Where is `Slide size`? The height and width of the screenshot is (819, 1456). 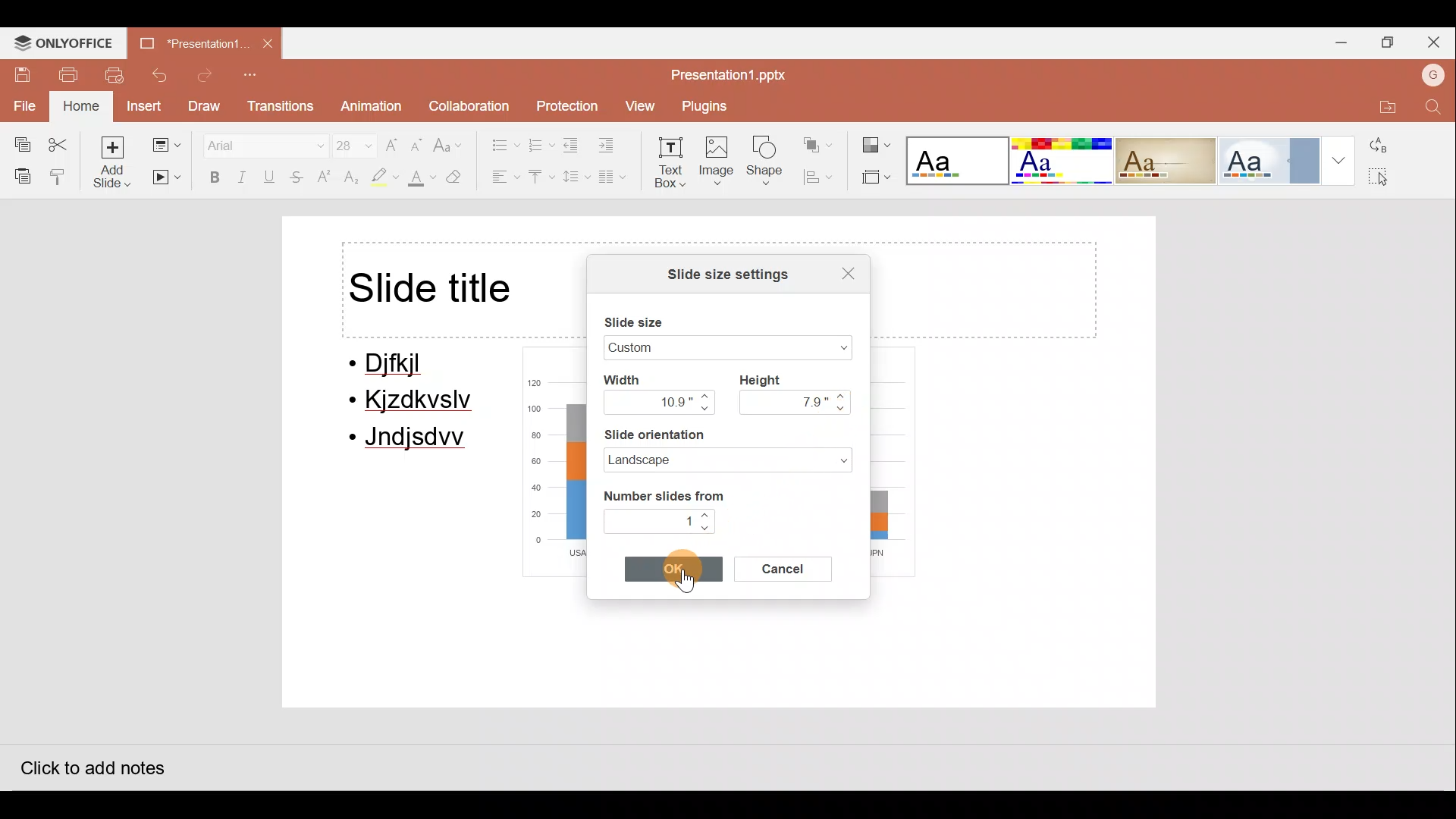
Slide size is located at coordinates (645, 318).